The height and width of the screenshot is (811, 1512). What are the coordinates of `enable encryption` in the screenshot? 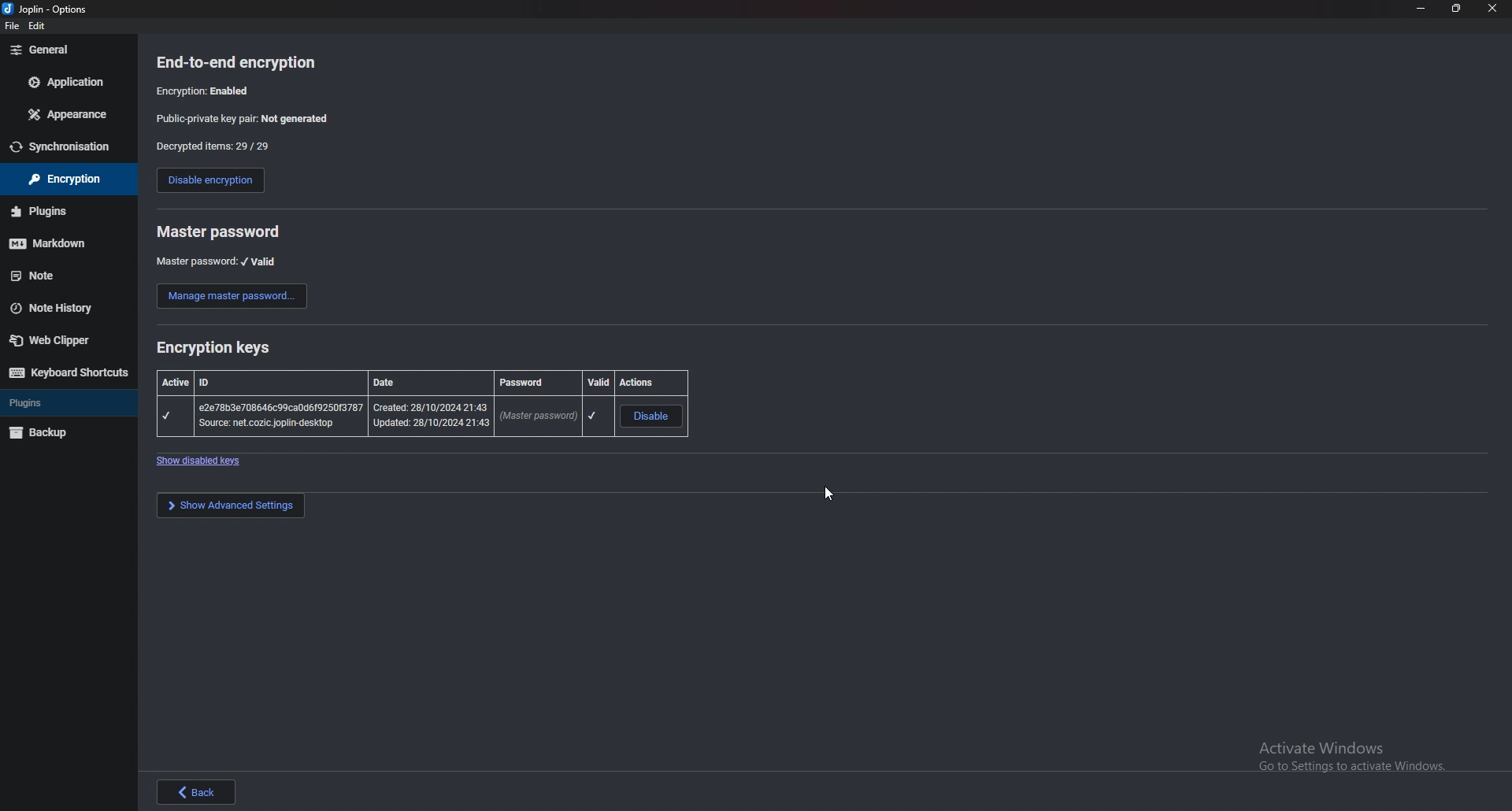 It's located at (211, 180).